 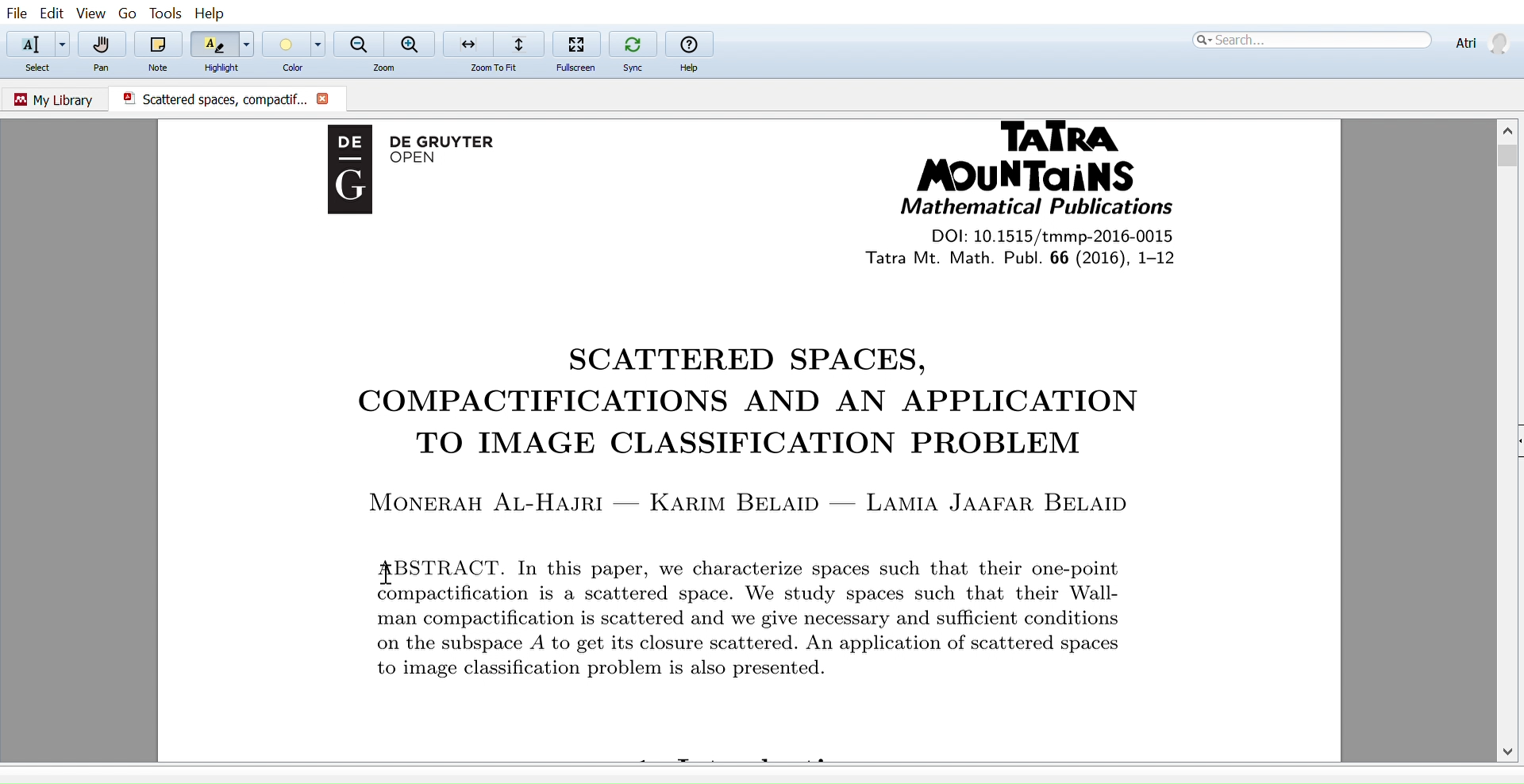 What do you see at coordinates (103, 69) in the screenshot?
I see `Pan` at bounding box center [103, 69].